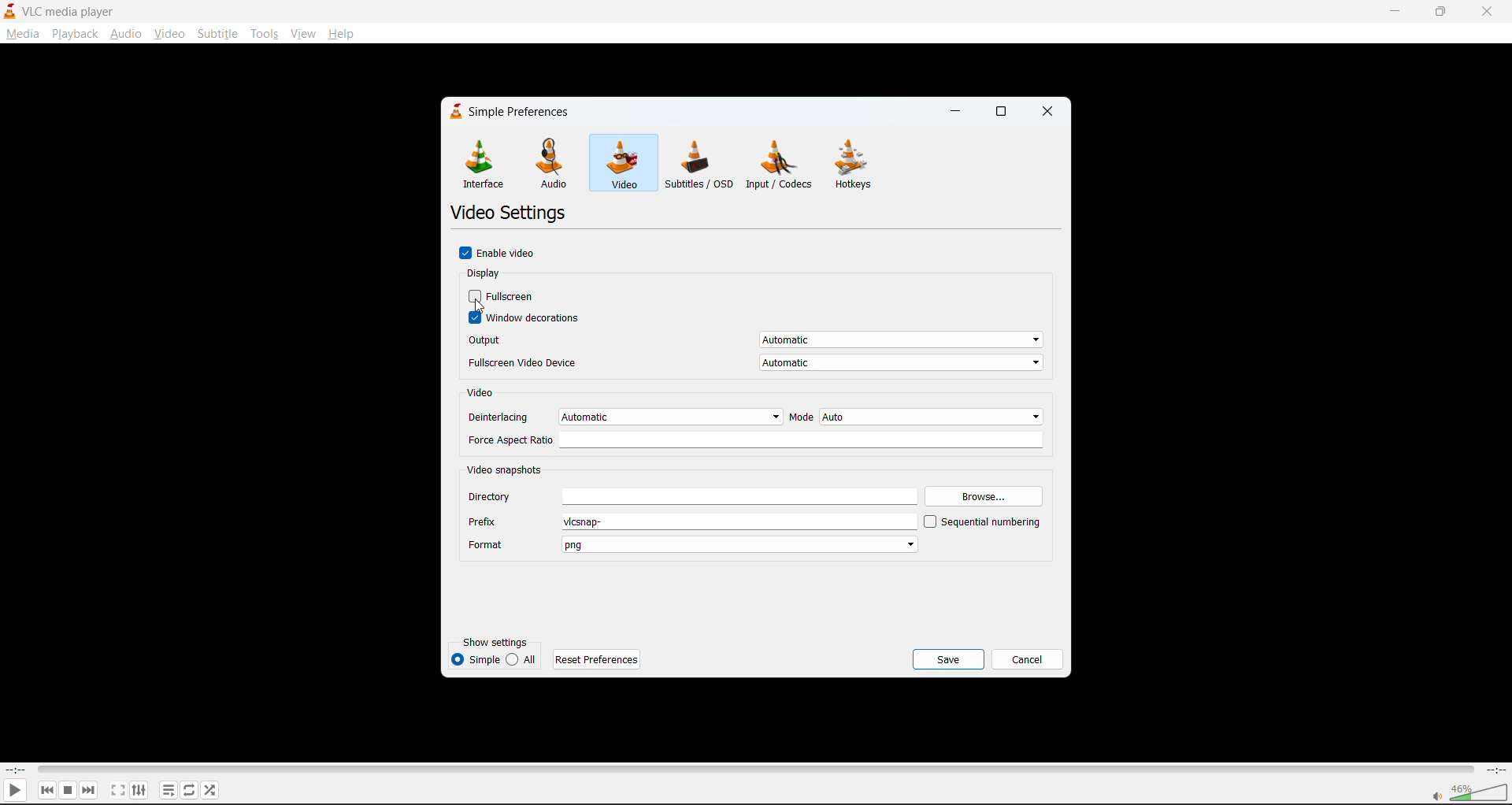 This screenshot has width=1512, height=805. I want to click on stop, so click(69, 789).